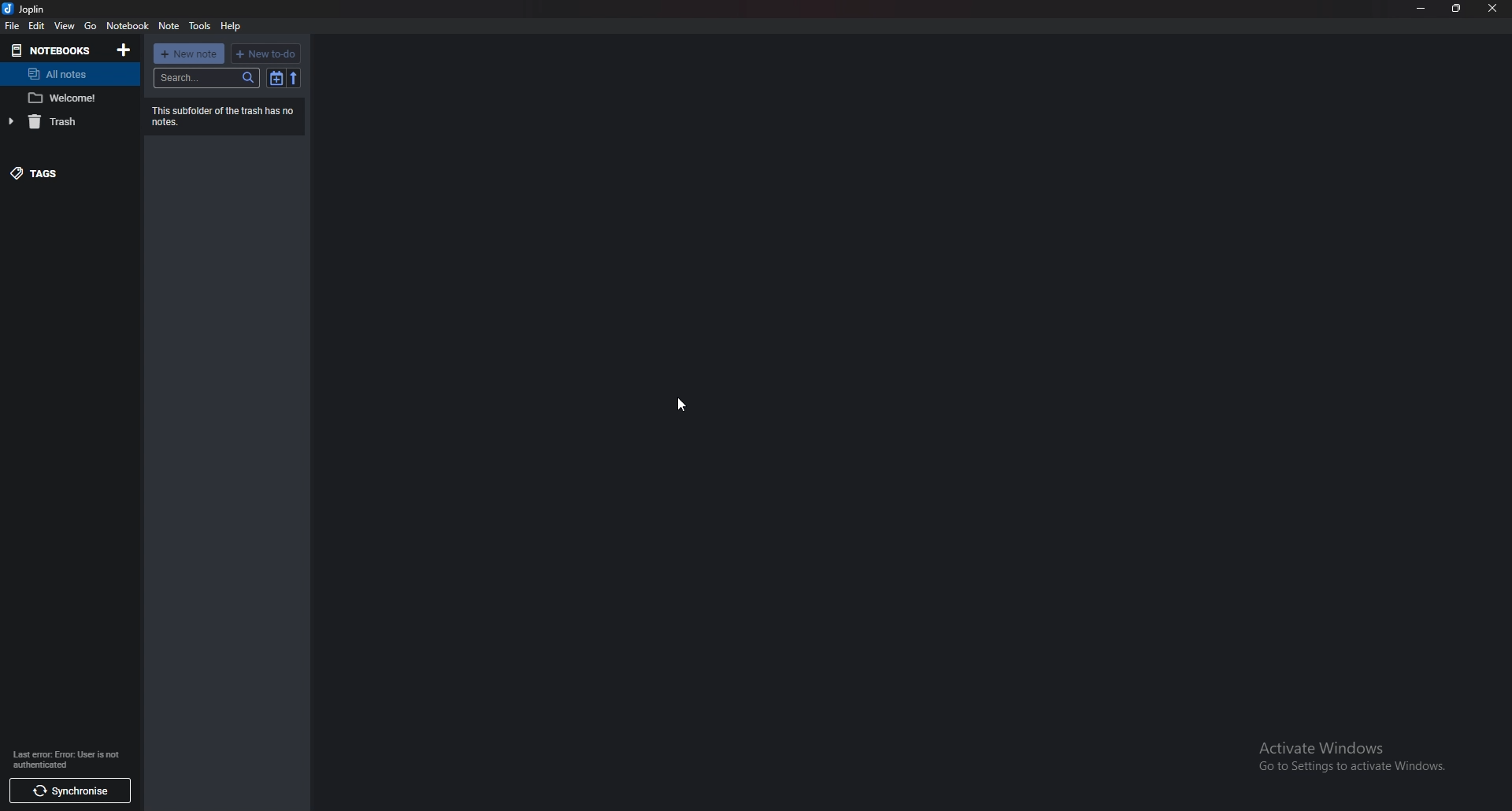  Describe the element at coordinates (64, 26) in the screenshot. I see `view` at that location.